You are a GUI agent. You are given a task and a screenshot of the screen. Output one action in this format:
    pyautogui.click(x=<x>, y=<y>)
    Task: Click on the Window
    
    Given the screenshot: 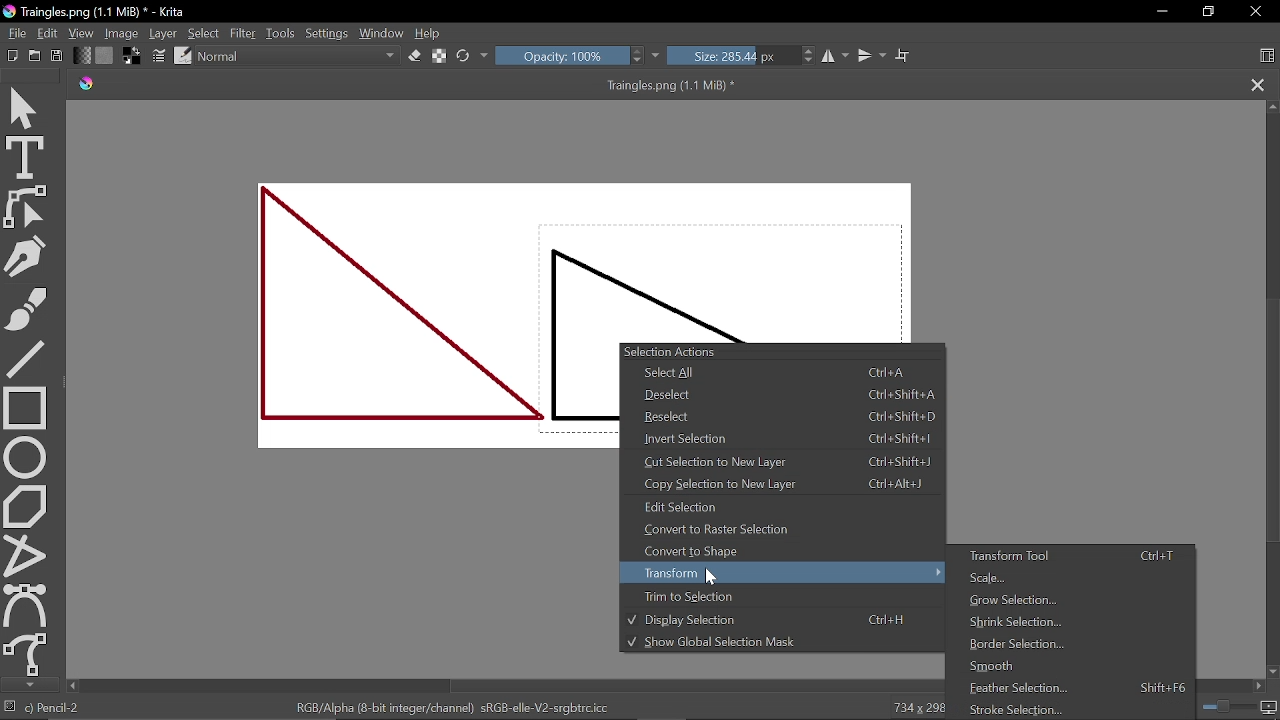 What is the action you would take?
    pyautogui.click(x=383, y=33)
    